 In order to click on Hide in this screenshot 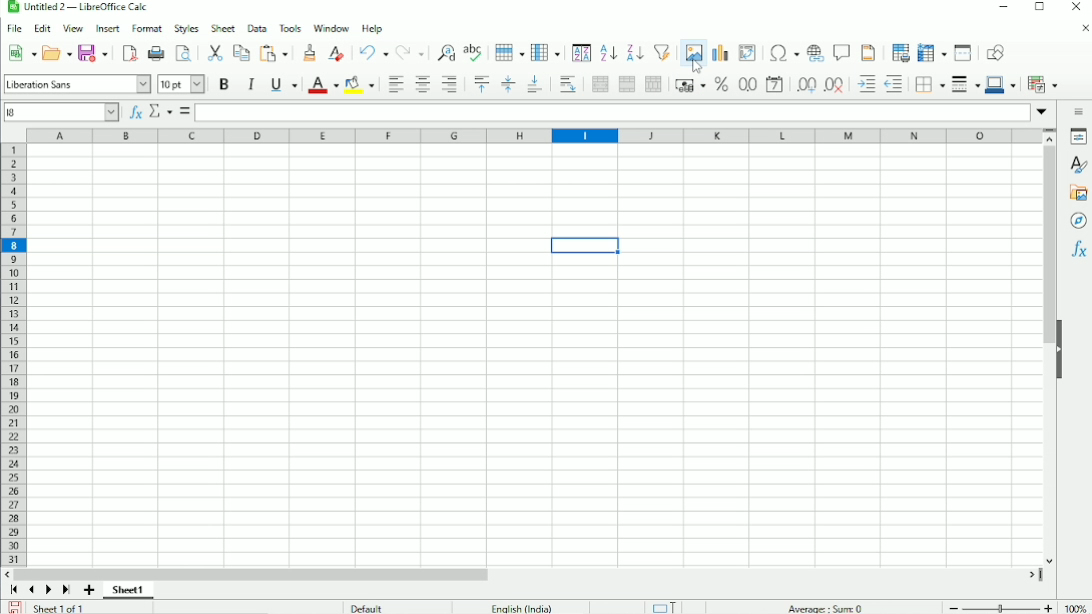, I will do `click(1066, 349)`.